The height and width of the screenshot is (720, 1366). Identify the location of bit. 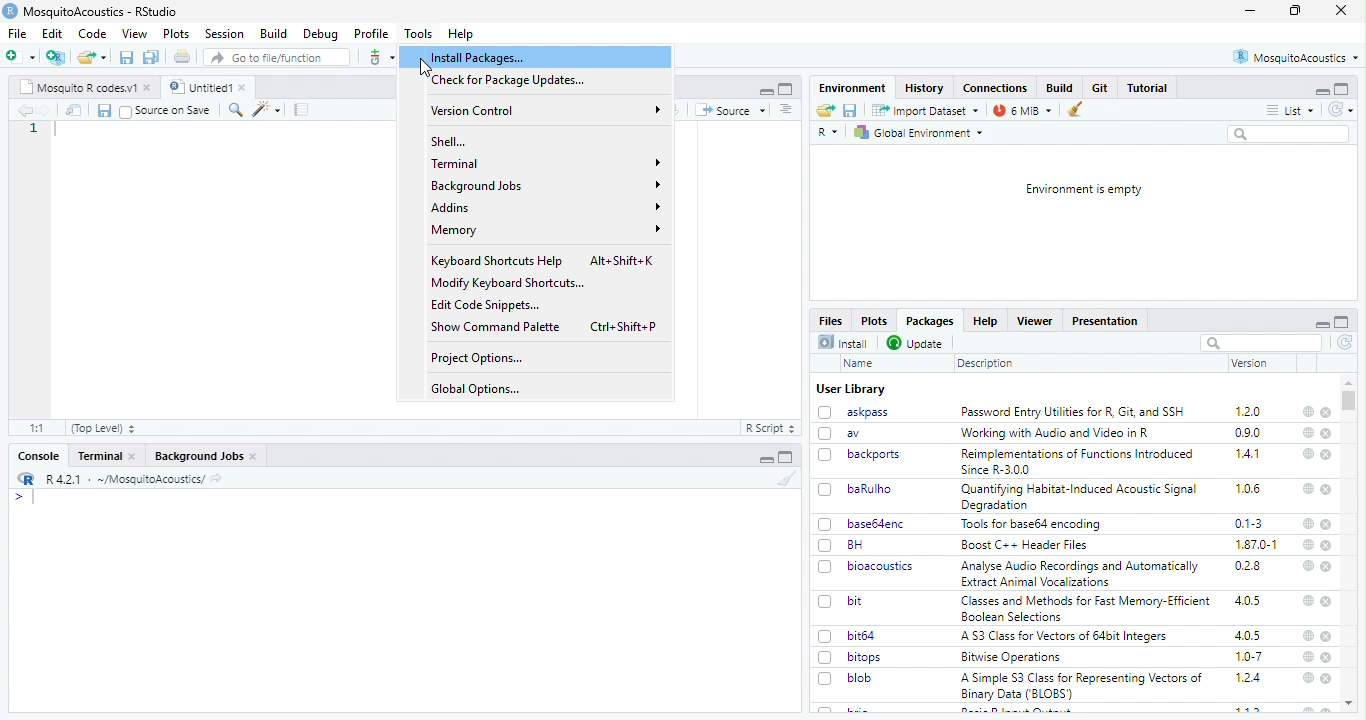
(856, 601).